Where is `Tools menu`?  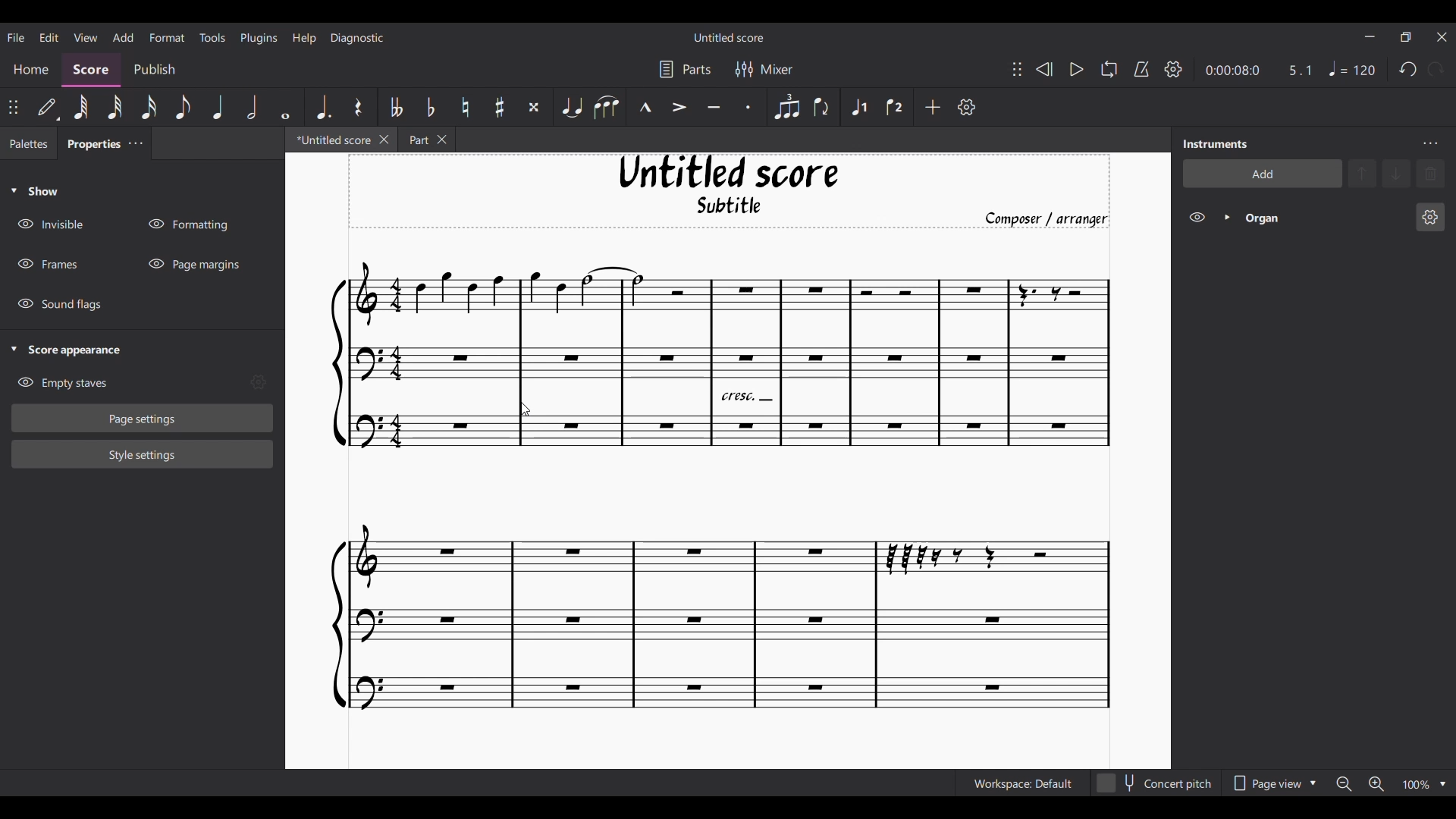 Tools menu is located at coordinates (212, 36).